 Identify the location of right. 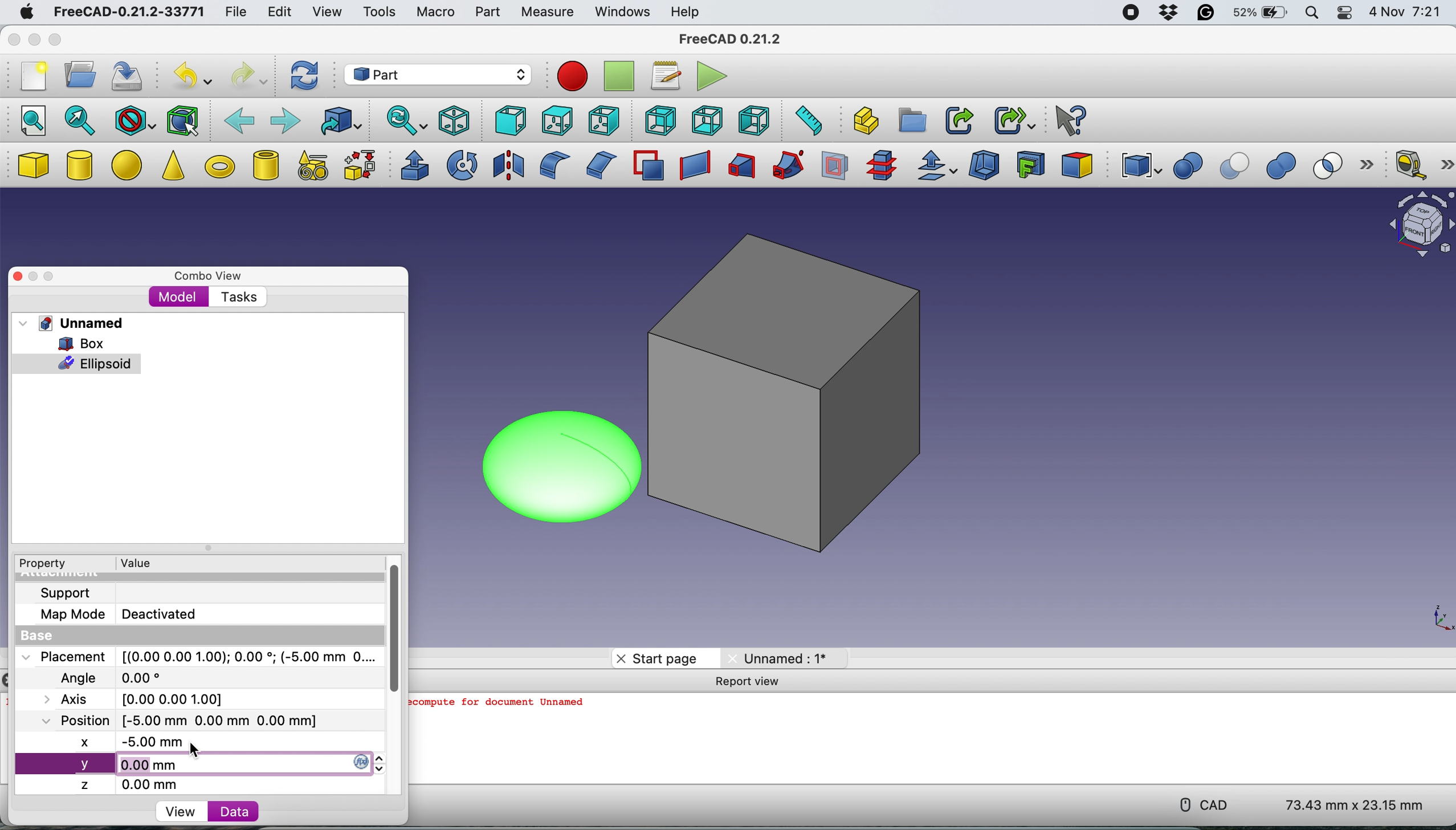
(602, 122).